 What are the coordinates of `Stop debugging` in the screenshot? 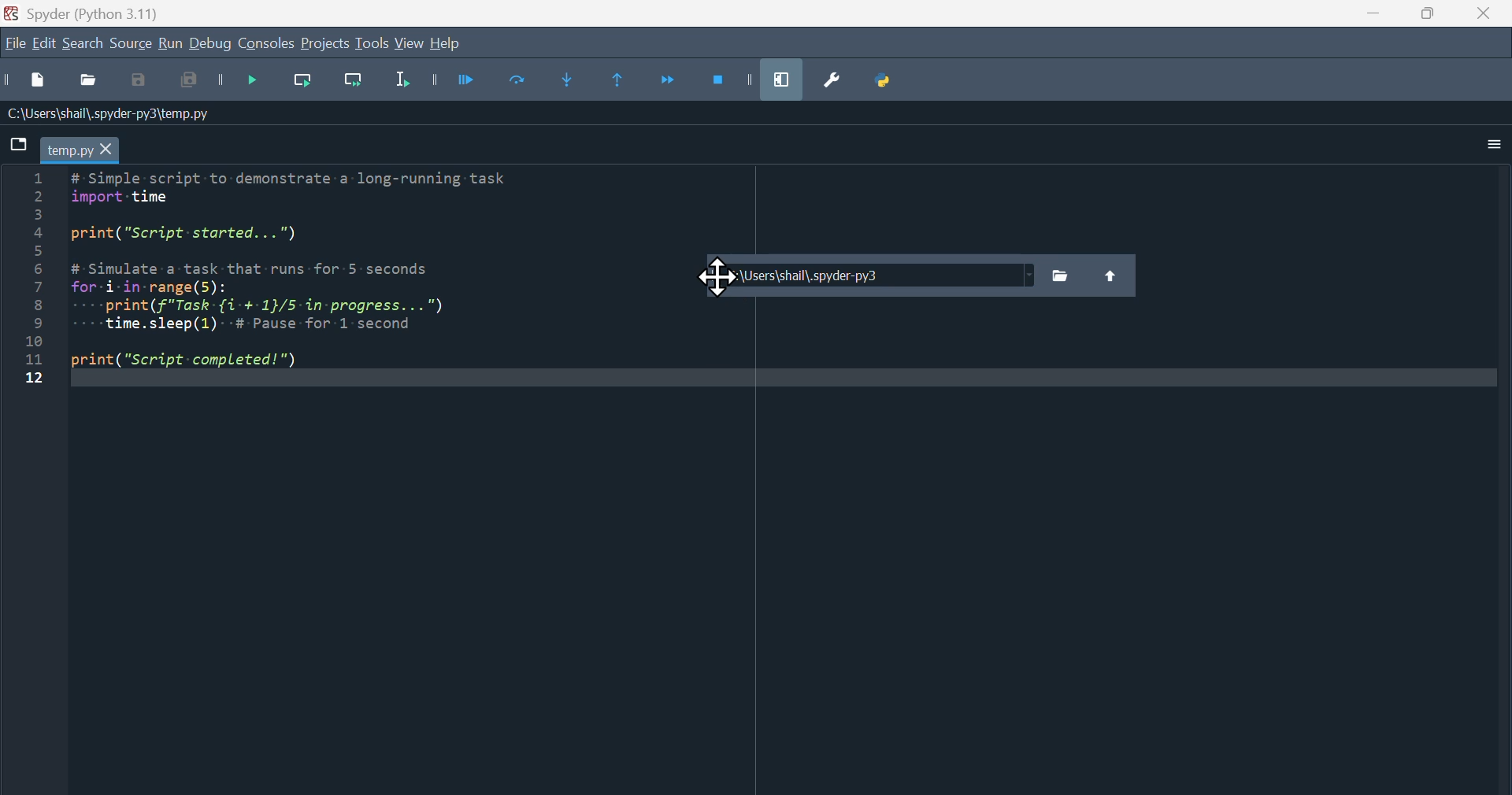 It's located at (733, 78).